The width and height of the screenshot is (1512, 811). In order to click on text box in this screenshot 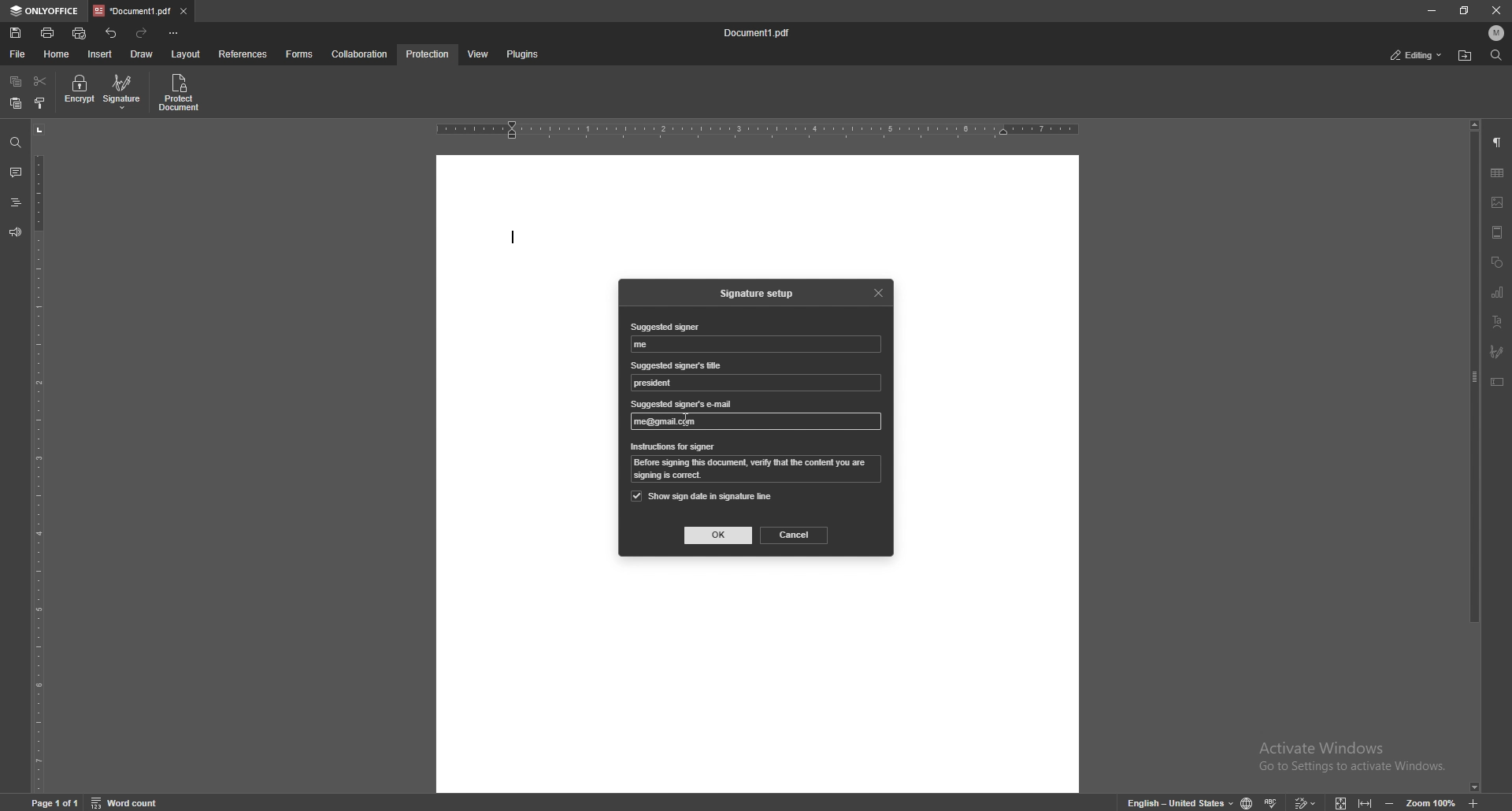, I will do `click(1497, 382)`.